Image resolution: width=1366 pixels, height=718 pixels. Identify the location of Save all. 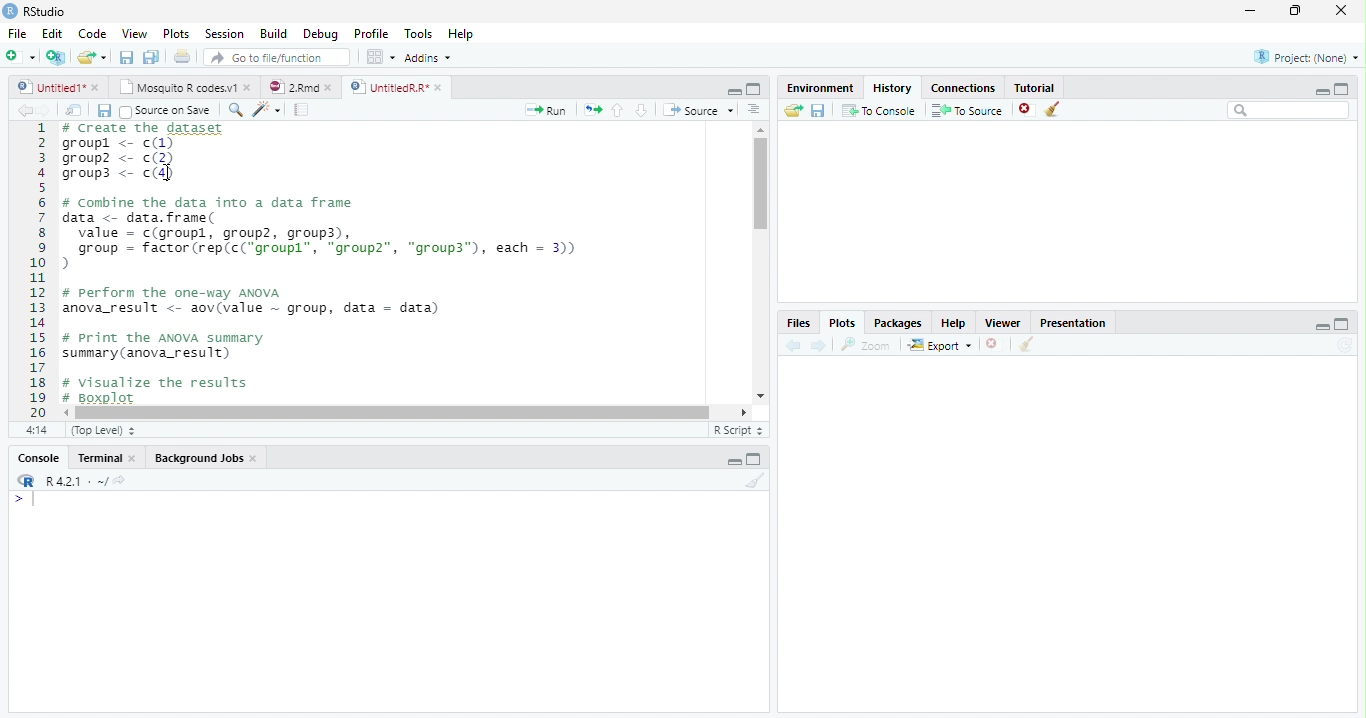
(108, 112).